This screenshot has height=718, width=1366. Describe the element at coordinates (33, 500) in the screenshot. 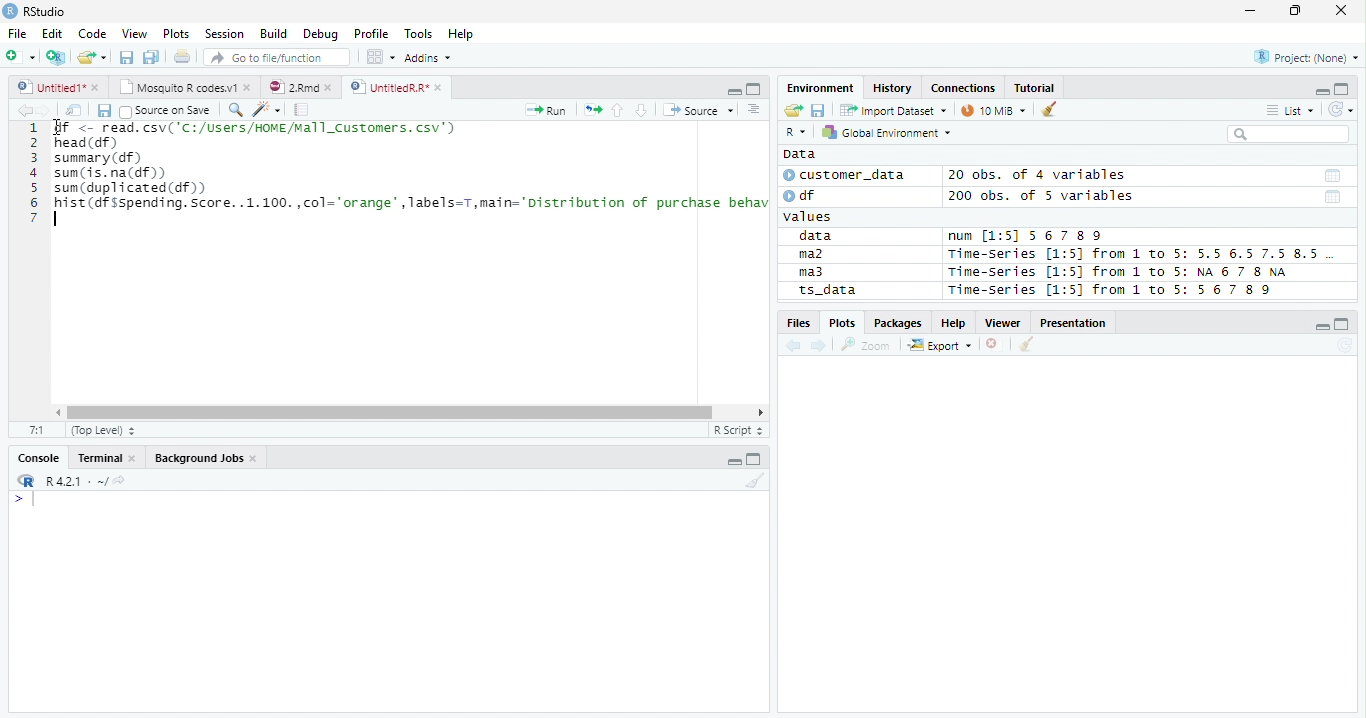

I see `Typing indicator` at that location.